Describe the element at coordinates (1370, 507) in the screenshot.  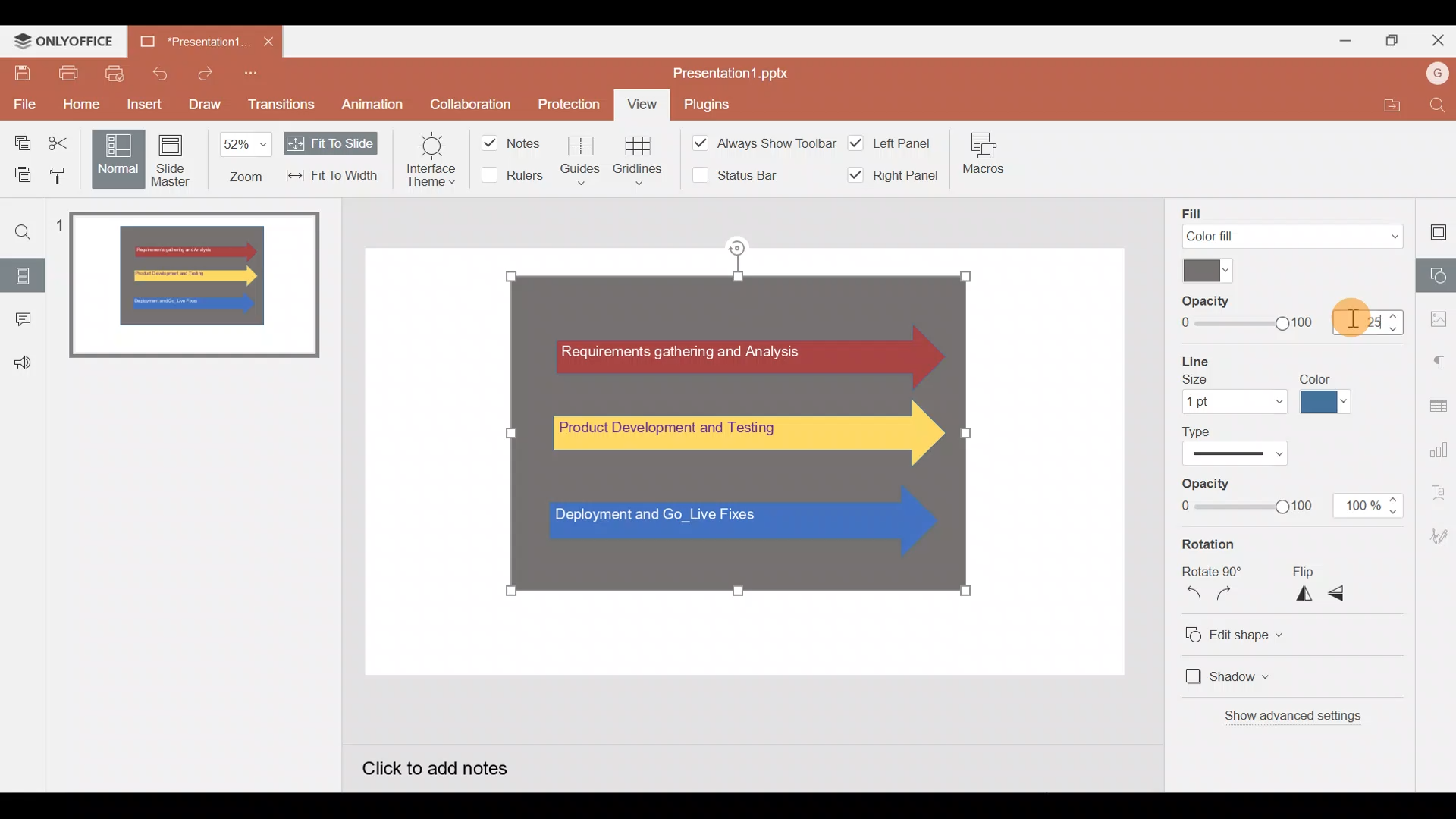
I see `Opacity % - 100%` at that location.